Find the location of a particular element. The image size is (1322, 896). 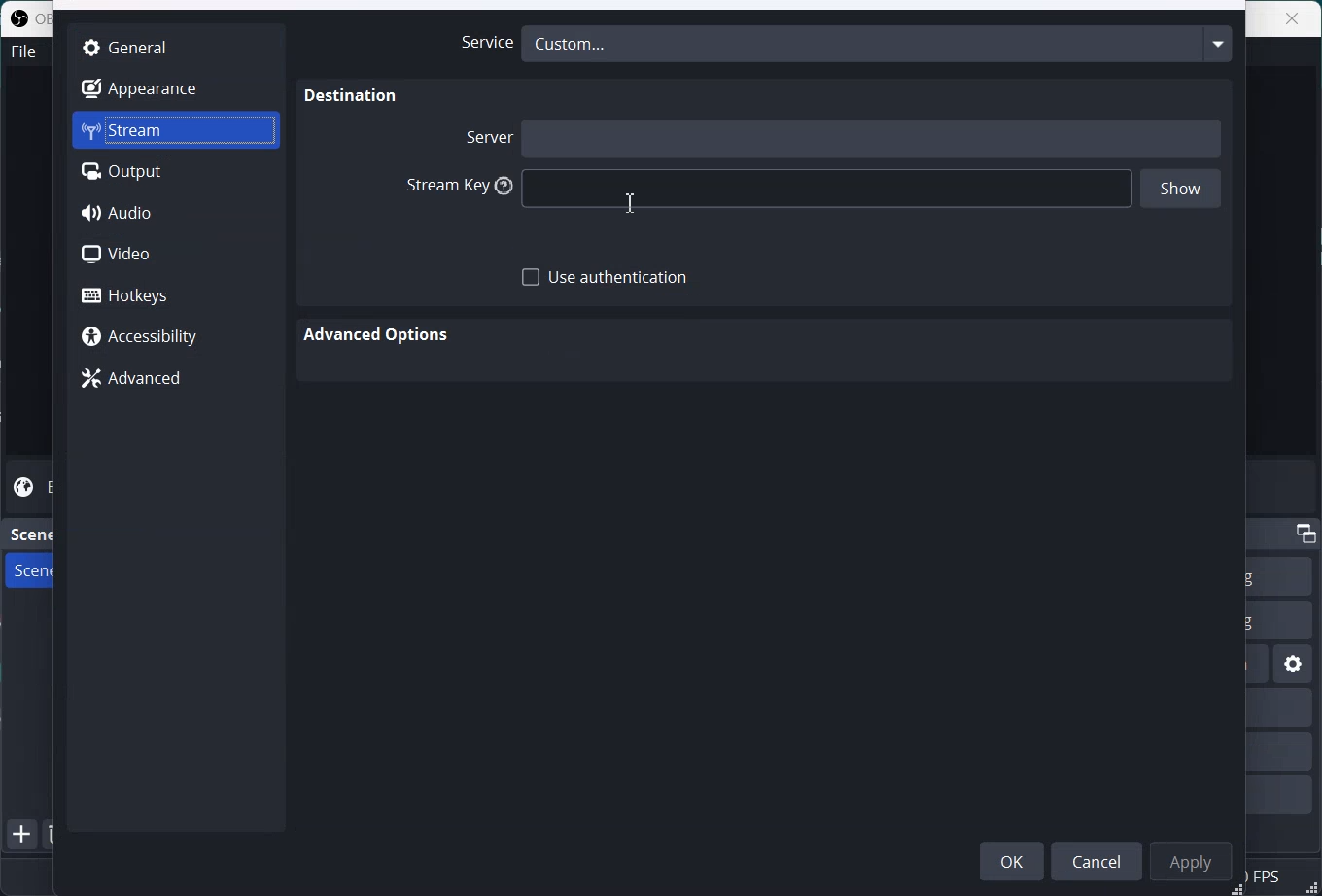

close is located at coordinates (1292, 18).